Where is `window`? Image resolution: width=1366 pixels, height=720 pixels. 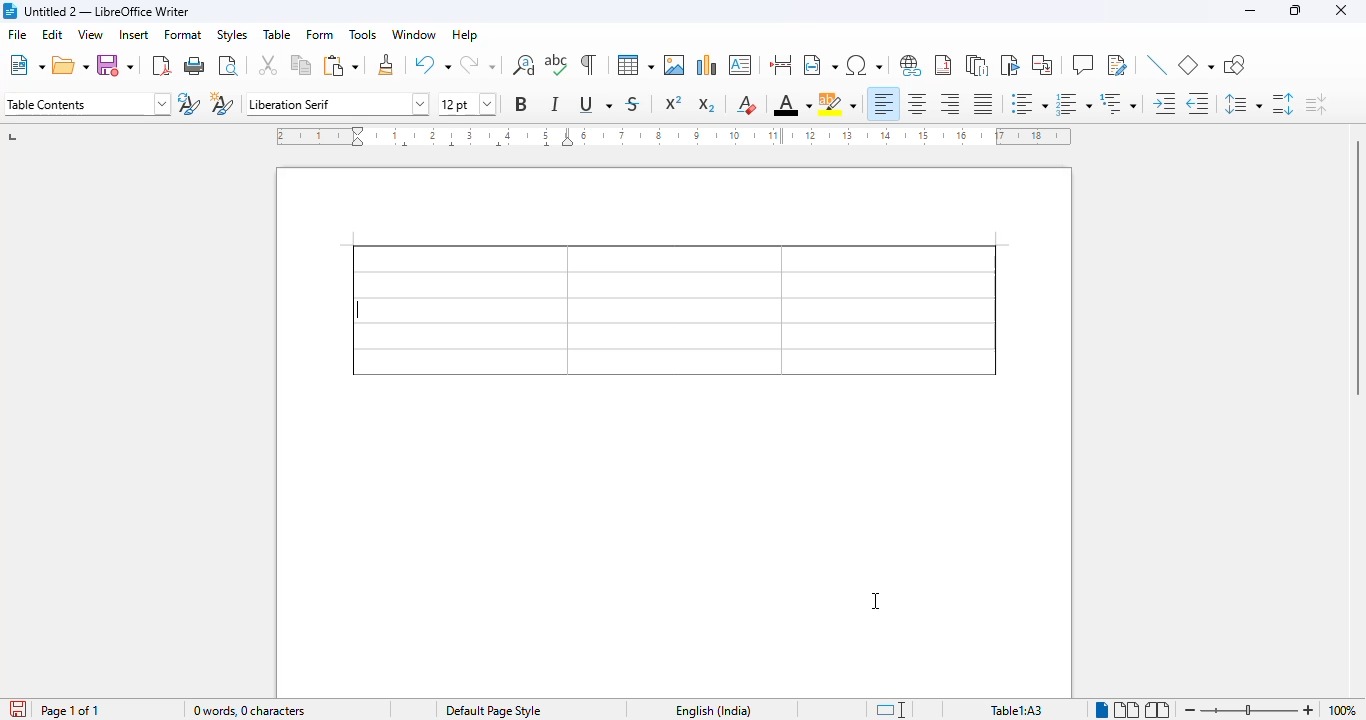
window is located at coordinates (416, 35).